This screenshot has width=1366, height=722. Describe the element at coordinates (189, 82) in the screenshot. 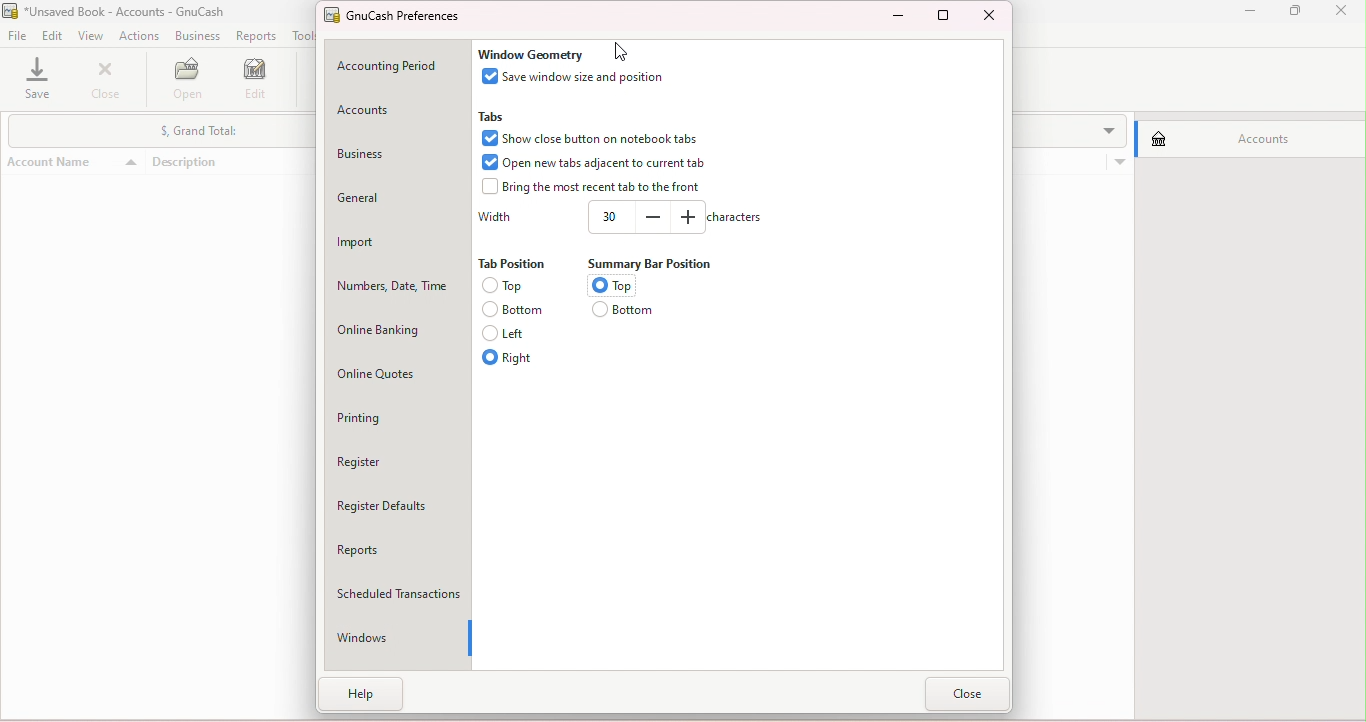

I see `Open` at that location.